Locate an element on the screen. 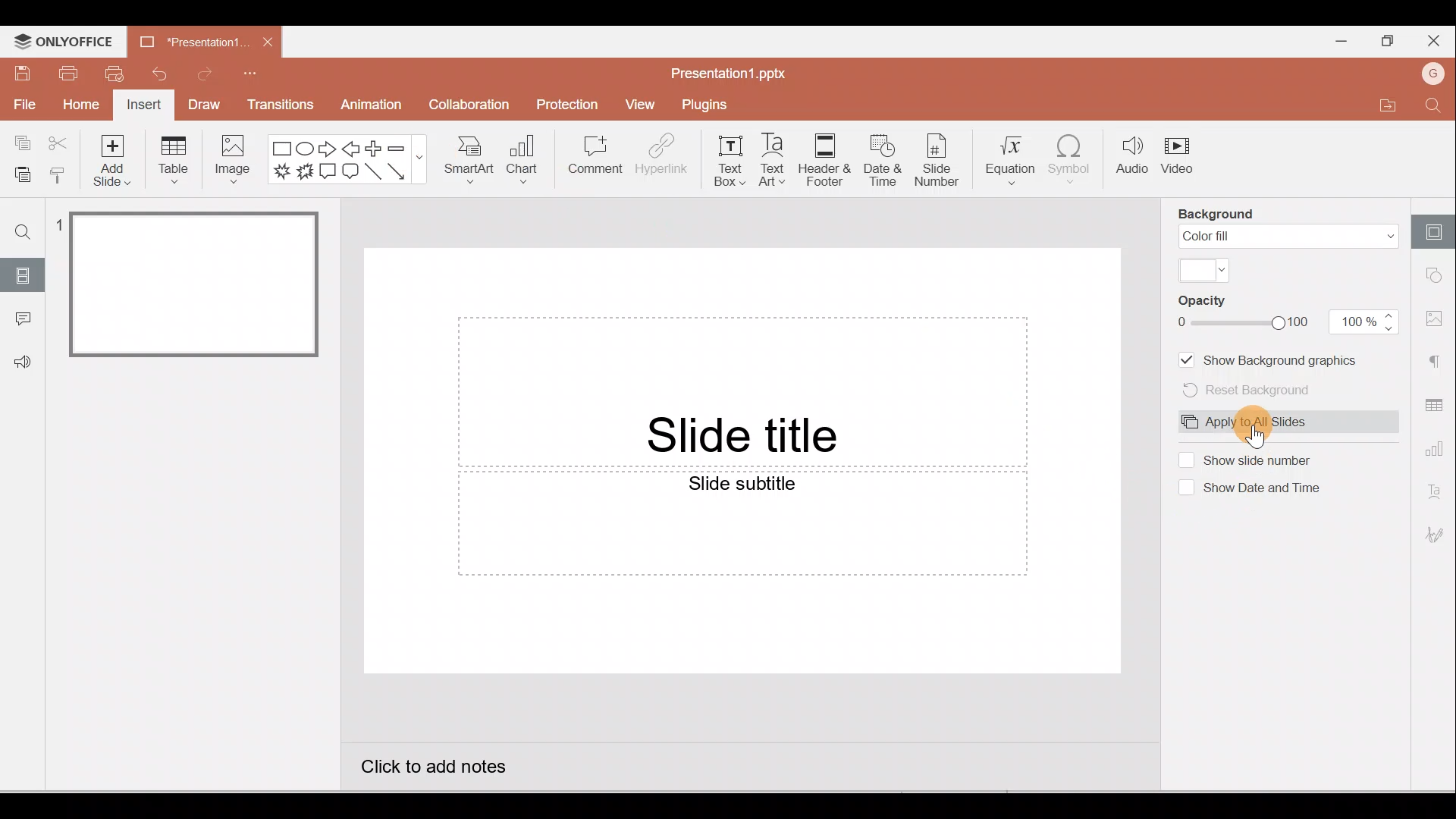 The image size is (1456, 819). Plugins is located at coordinates (714, 102).